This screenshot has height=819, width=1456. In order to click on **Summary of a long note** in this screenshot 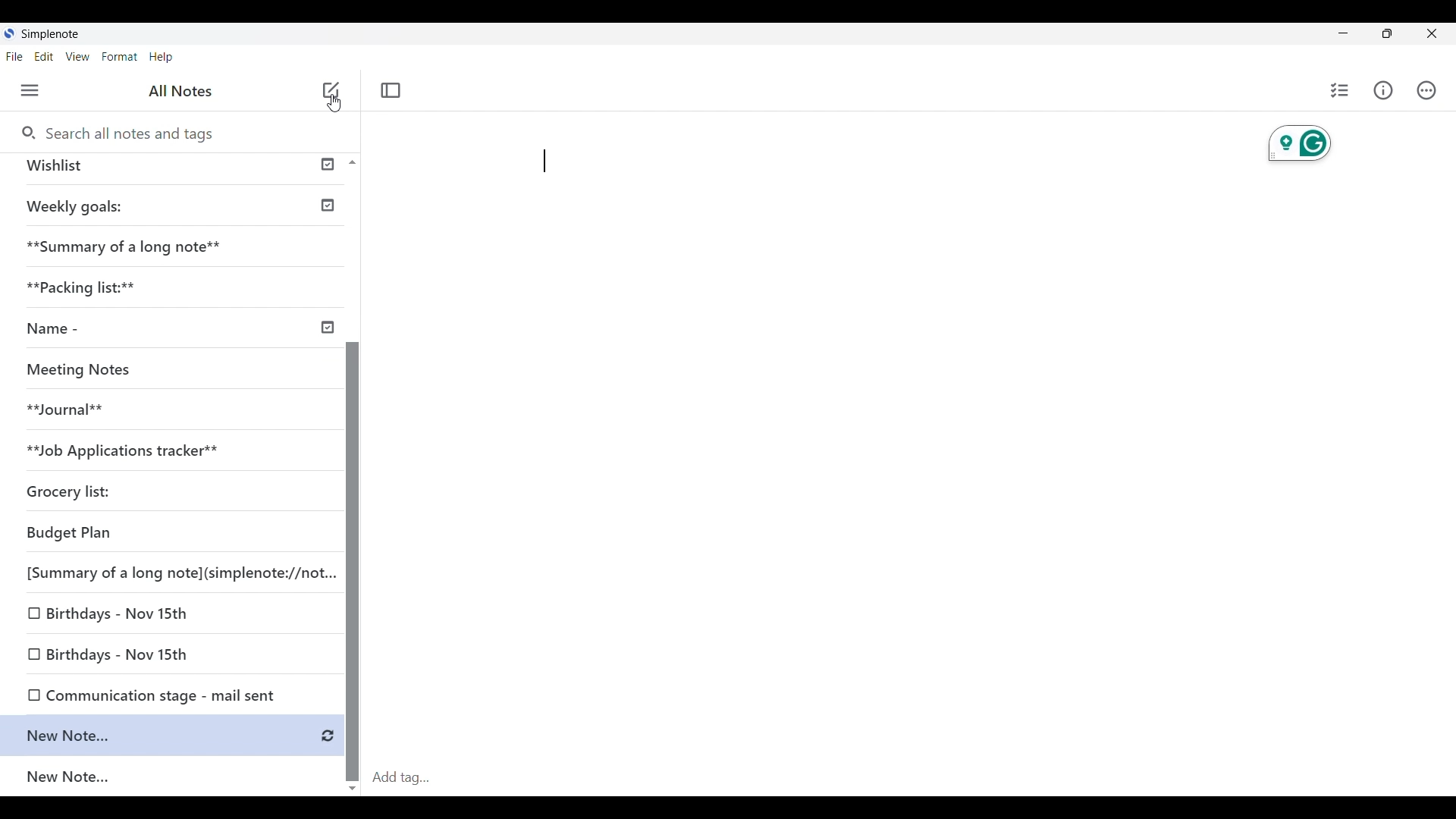, I will do `click(133, 245)`.